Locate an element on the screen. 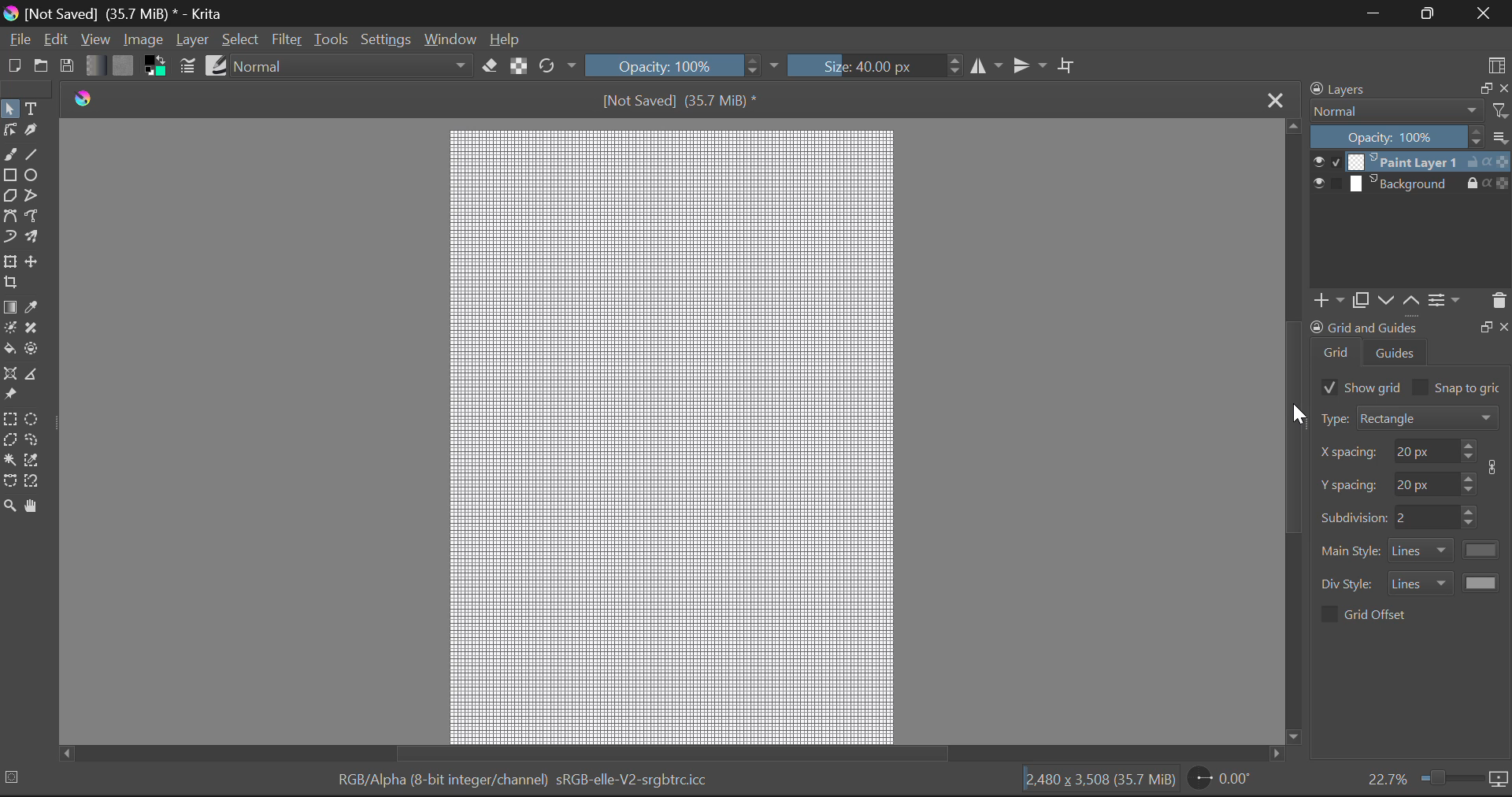 This screenshot has width=1512, height=797. Minimize is located at coordinates (1433, 13).